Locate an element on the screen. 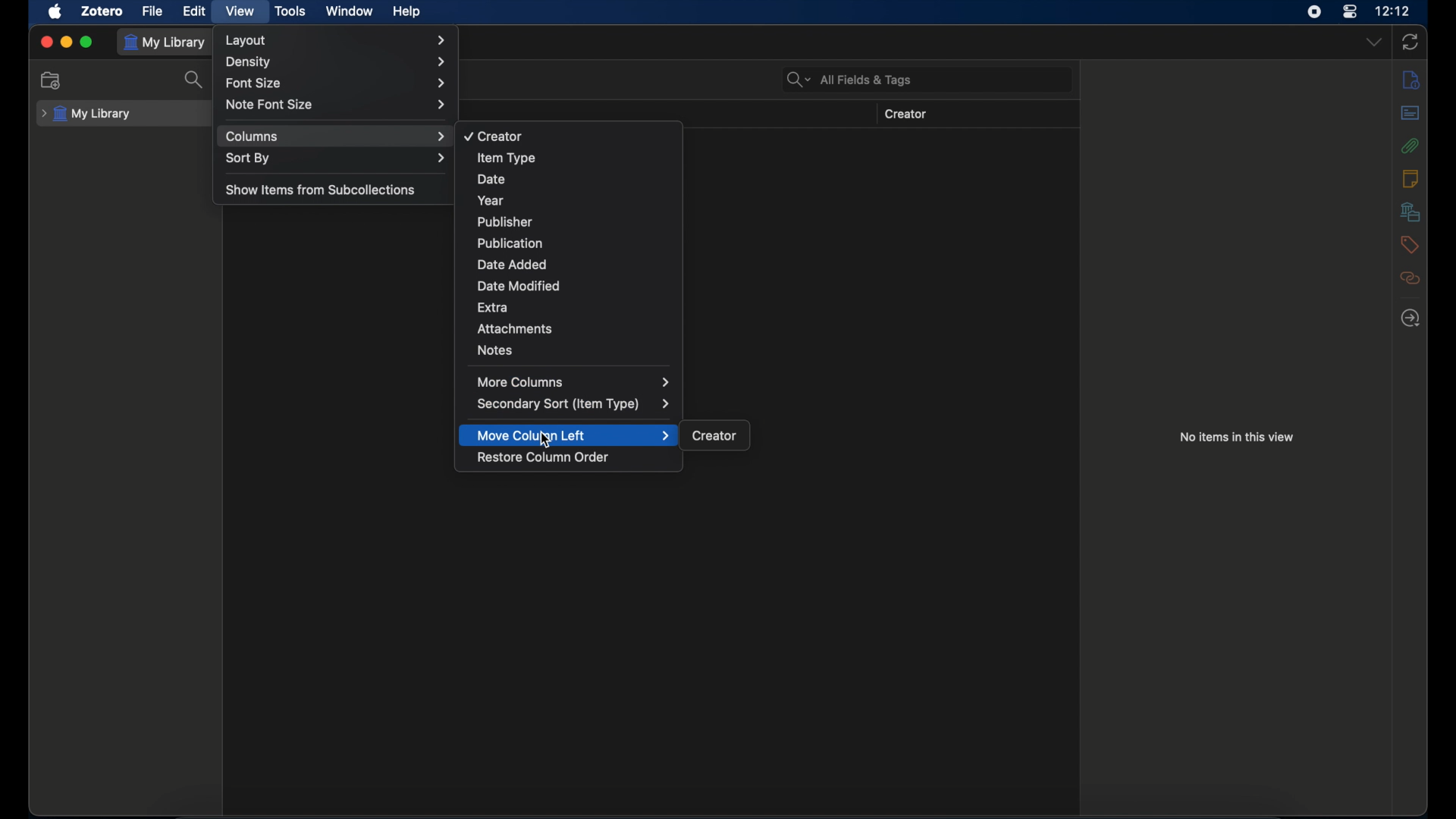 This screenshot has height=819, width=1456. libraries is located at coordinates (1411, 212).